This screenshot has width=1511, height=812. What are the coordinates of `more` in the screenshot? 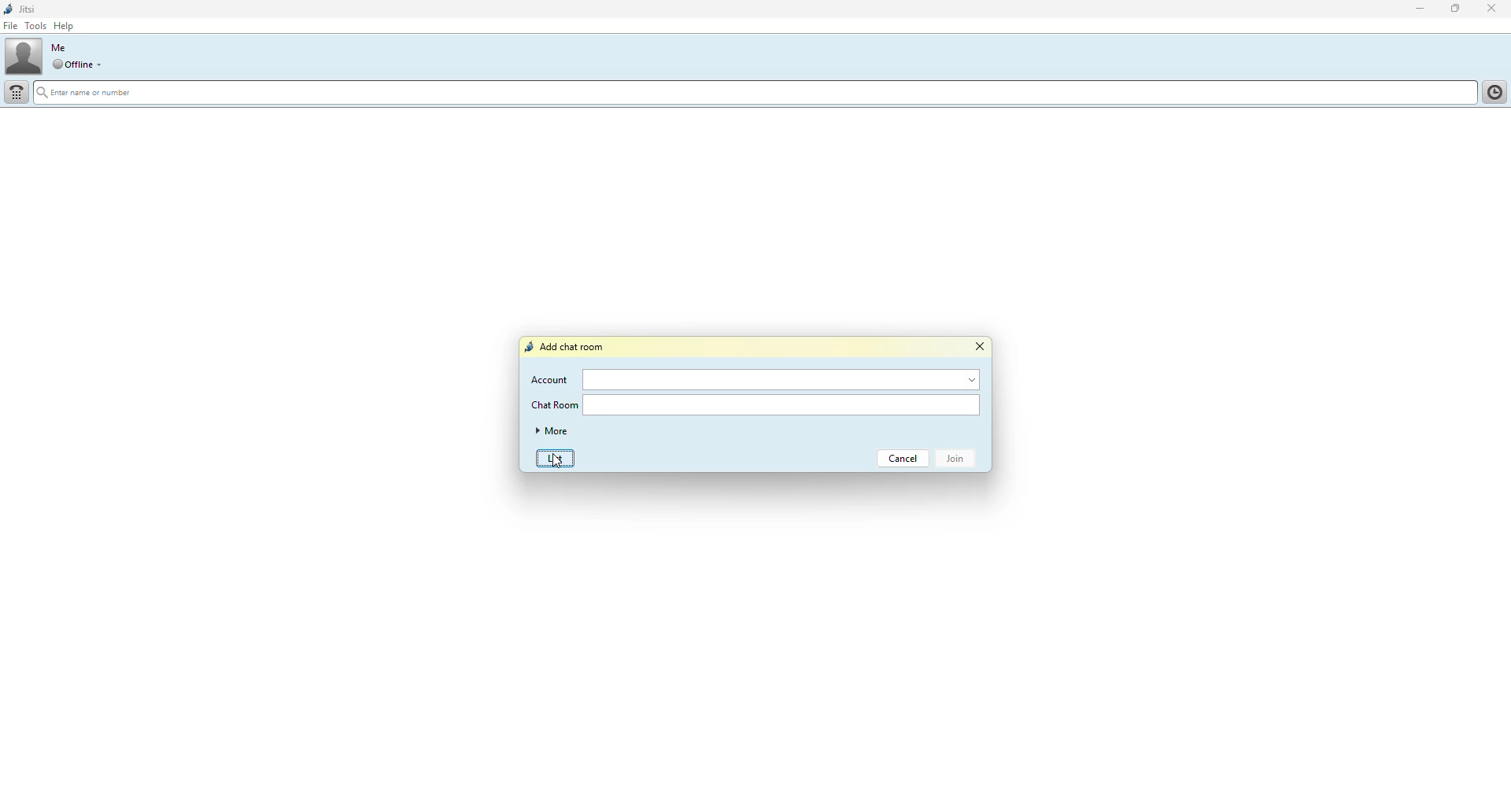 It's located at (551, 431).